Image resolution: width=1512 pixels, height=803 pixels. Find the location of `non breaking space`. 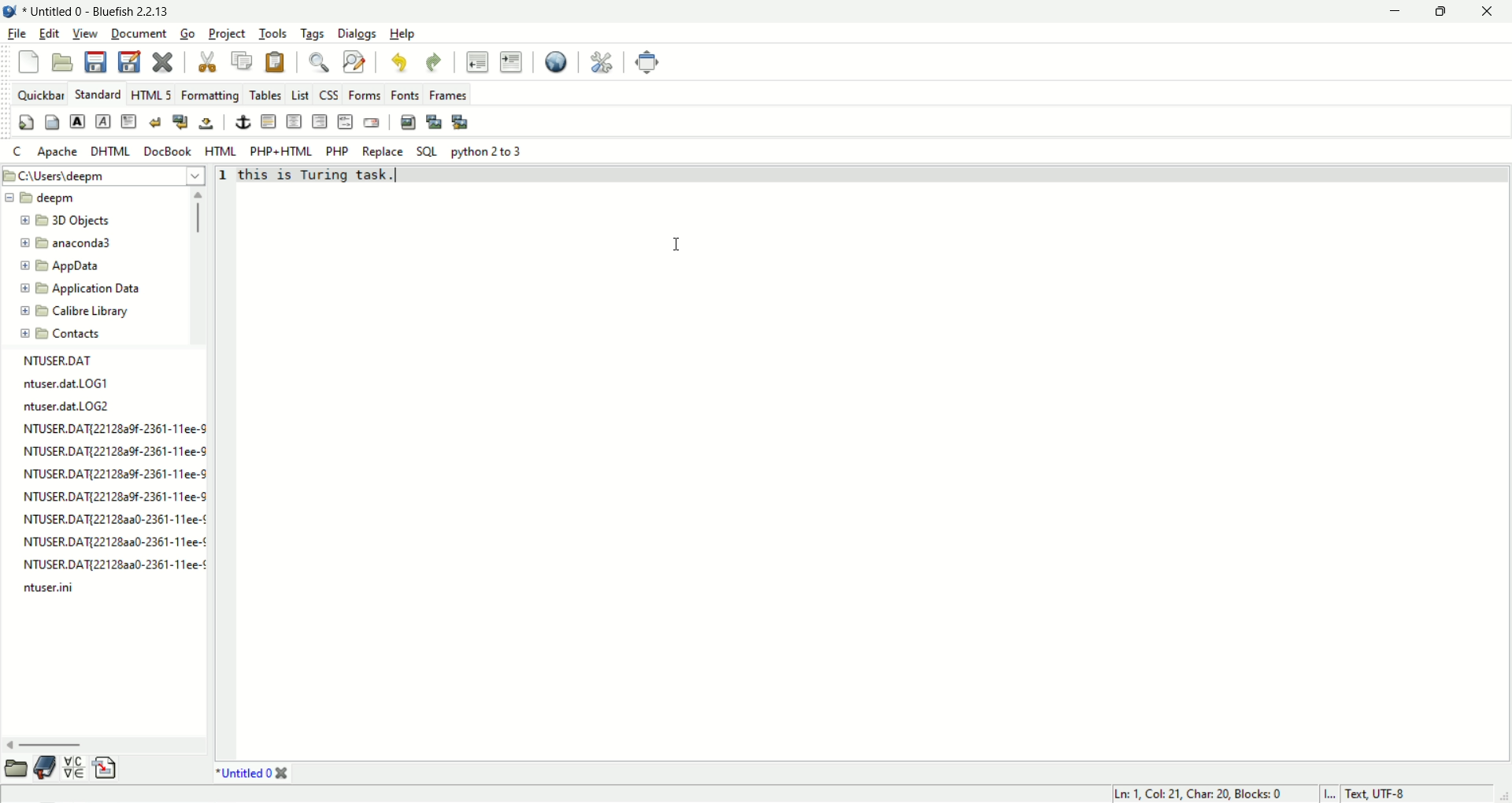

non breaking space is located at coordinates (207, 124).